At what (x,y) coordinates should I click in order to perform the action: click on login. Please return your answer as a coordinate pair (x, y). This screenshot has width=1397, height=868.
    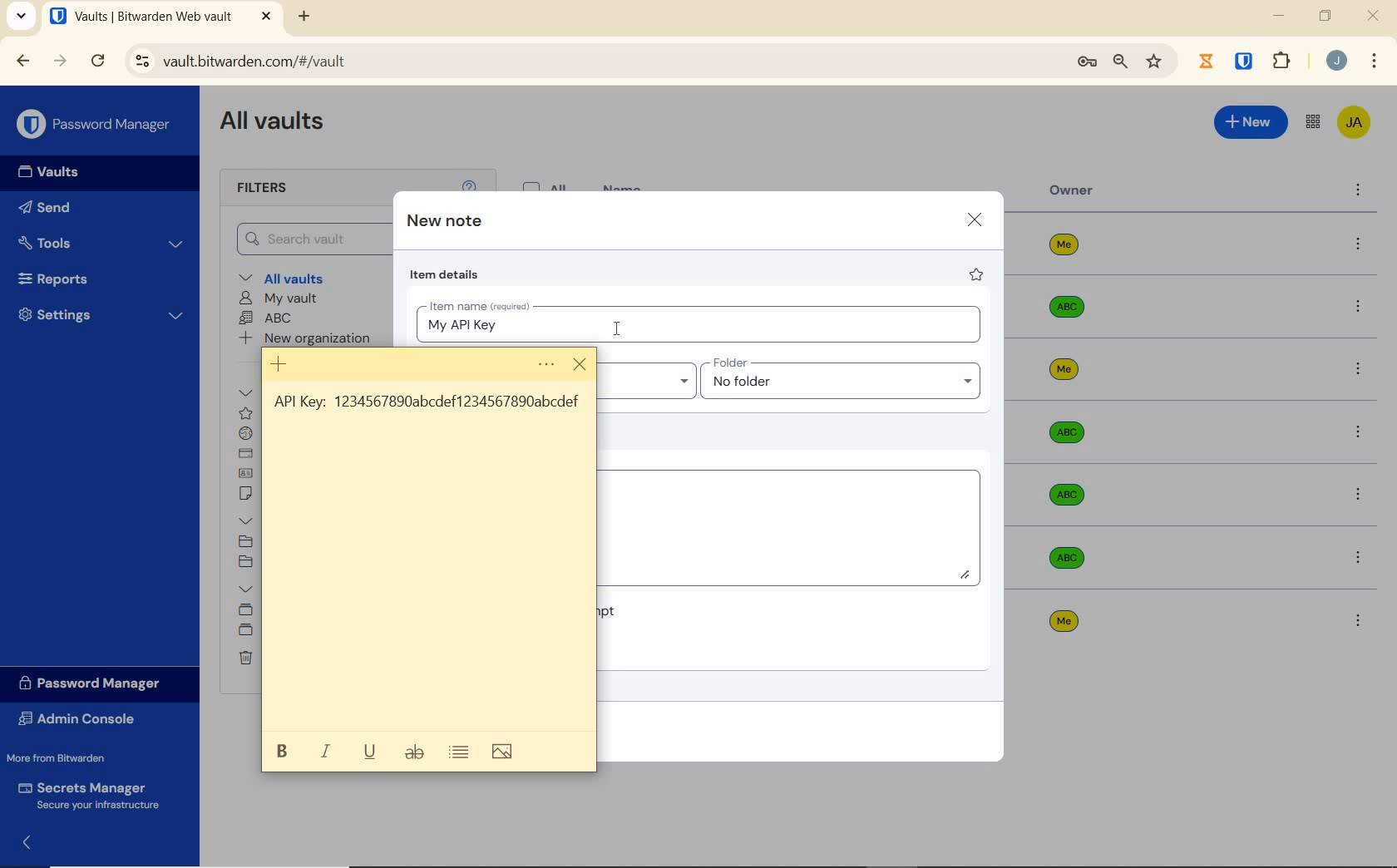
    Looking at the image, I should click on (247, 435).